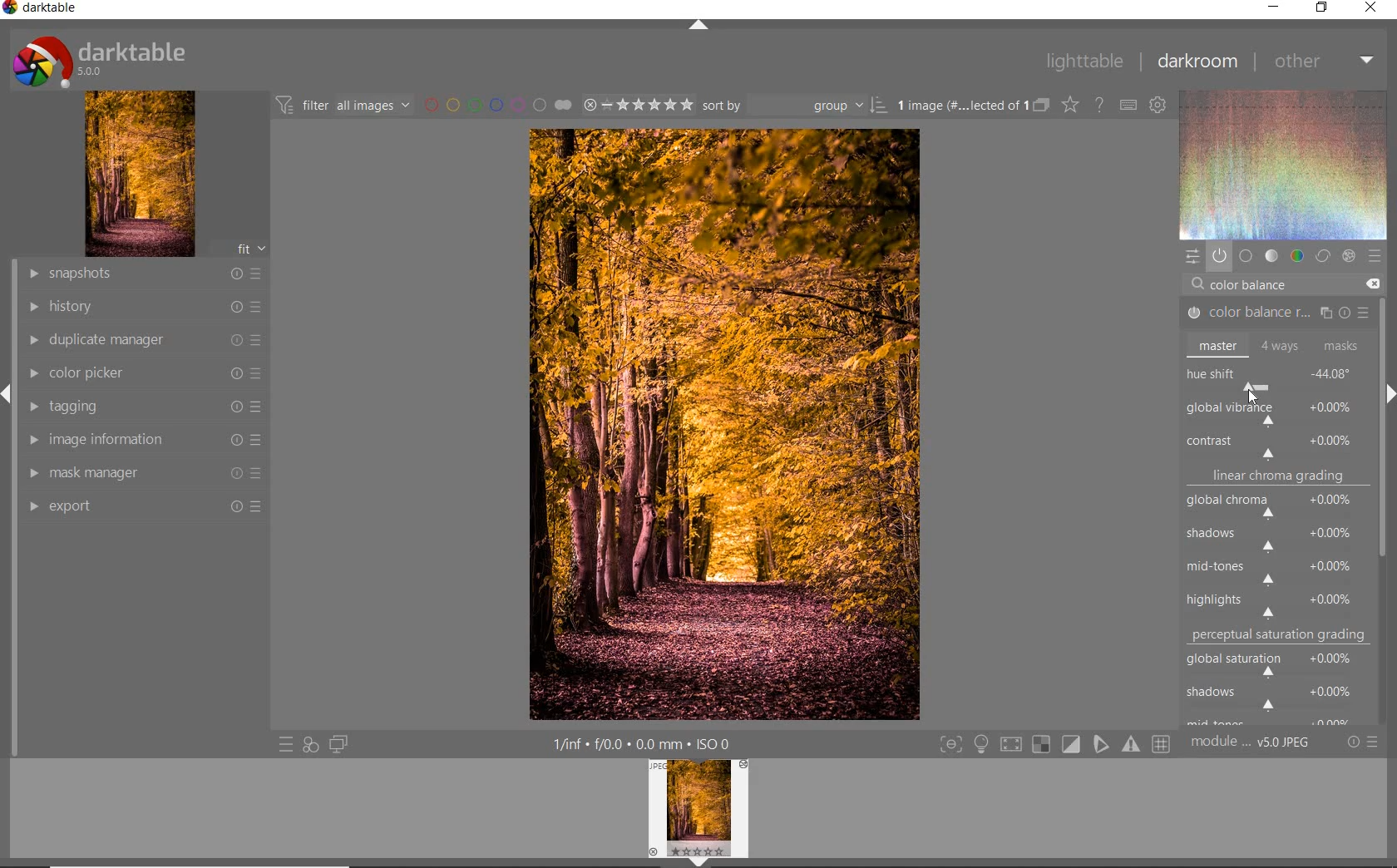 The width and height of the screenshot is (1397, 868). I want to click on DELETE, so click(1372, 284).